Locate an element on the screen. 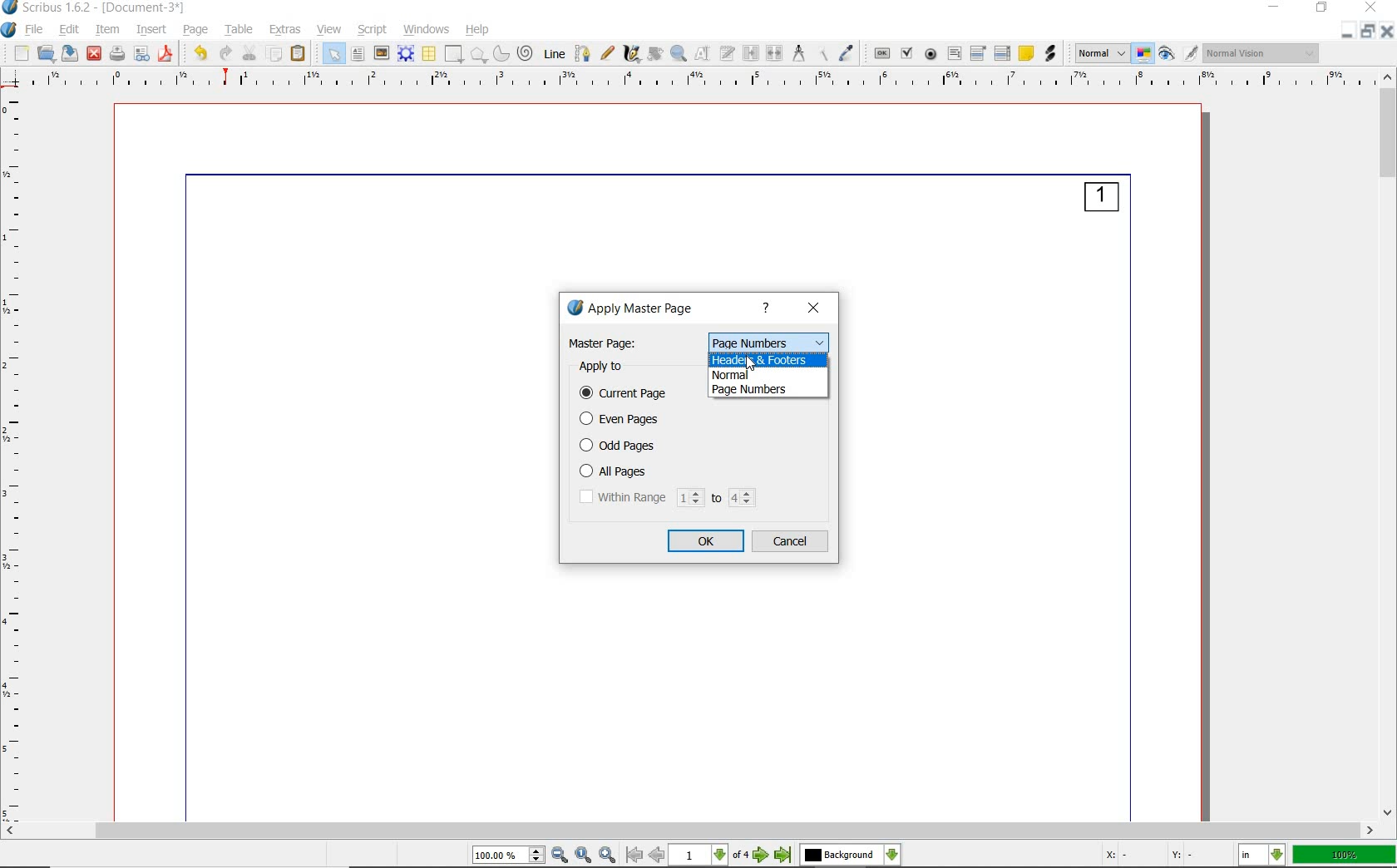  select image preview mode is located at coordinates (1100, 55).